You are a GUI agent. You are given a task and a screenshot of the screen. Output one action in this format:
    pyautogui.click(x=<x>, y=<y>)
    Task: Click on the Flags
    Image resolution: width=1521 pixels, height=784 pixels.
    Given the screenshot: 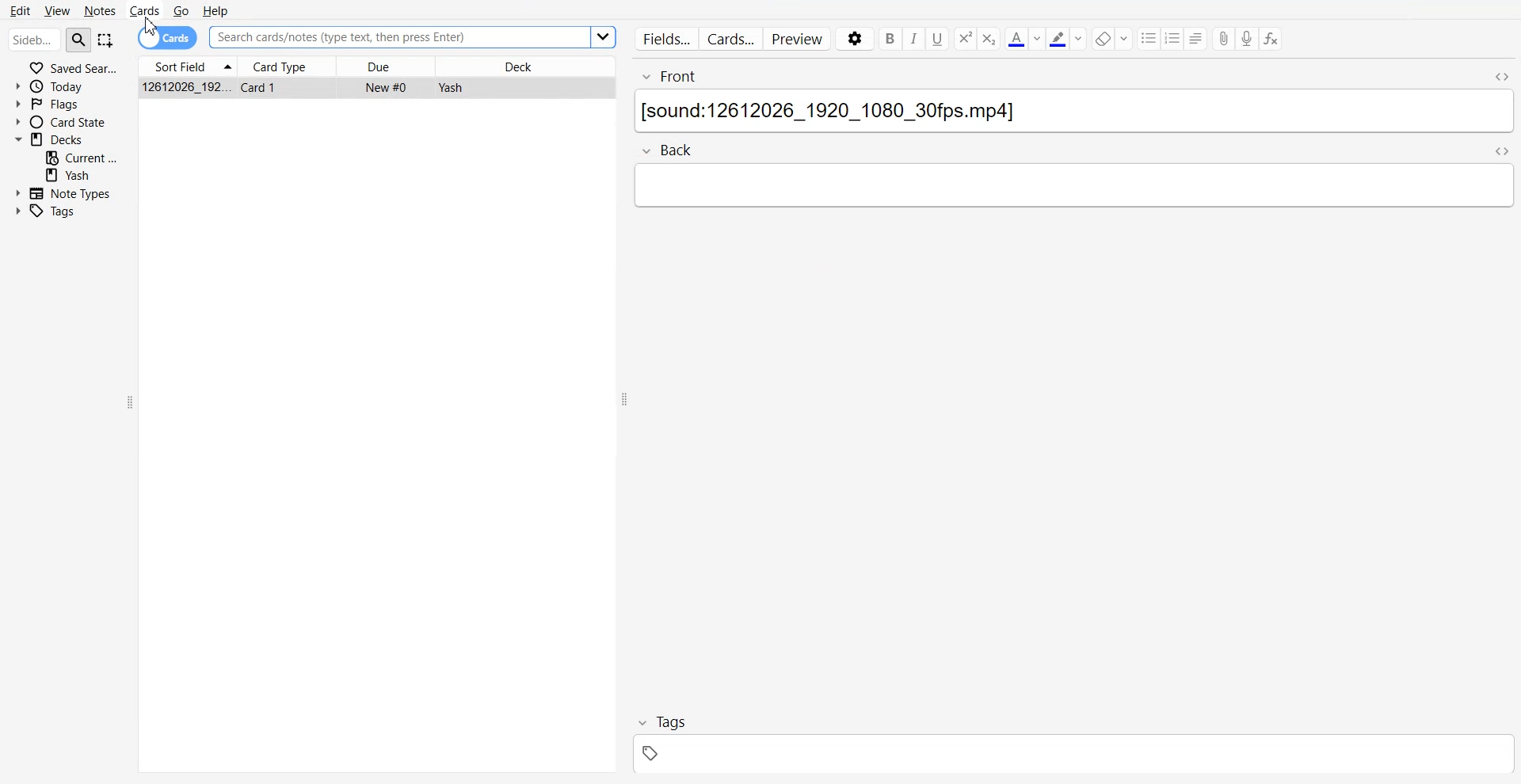 What is the action you would take?
    pyautogui.click(x=67, y=104)
    